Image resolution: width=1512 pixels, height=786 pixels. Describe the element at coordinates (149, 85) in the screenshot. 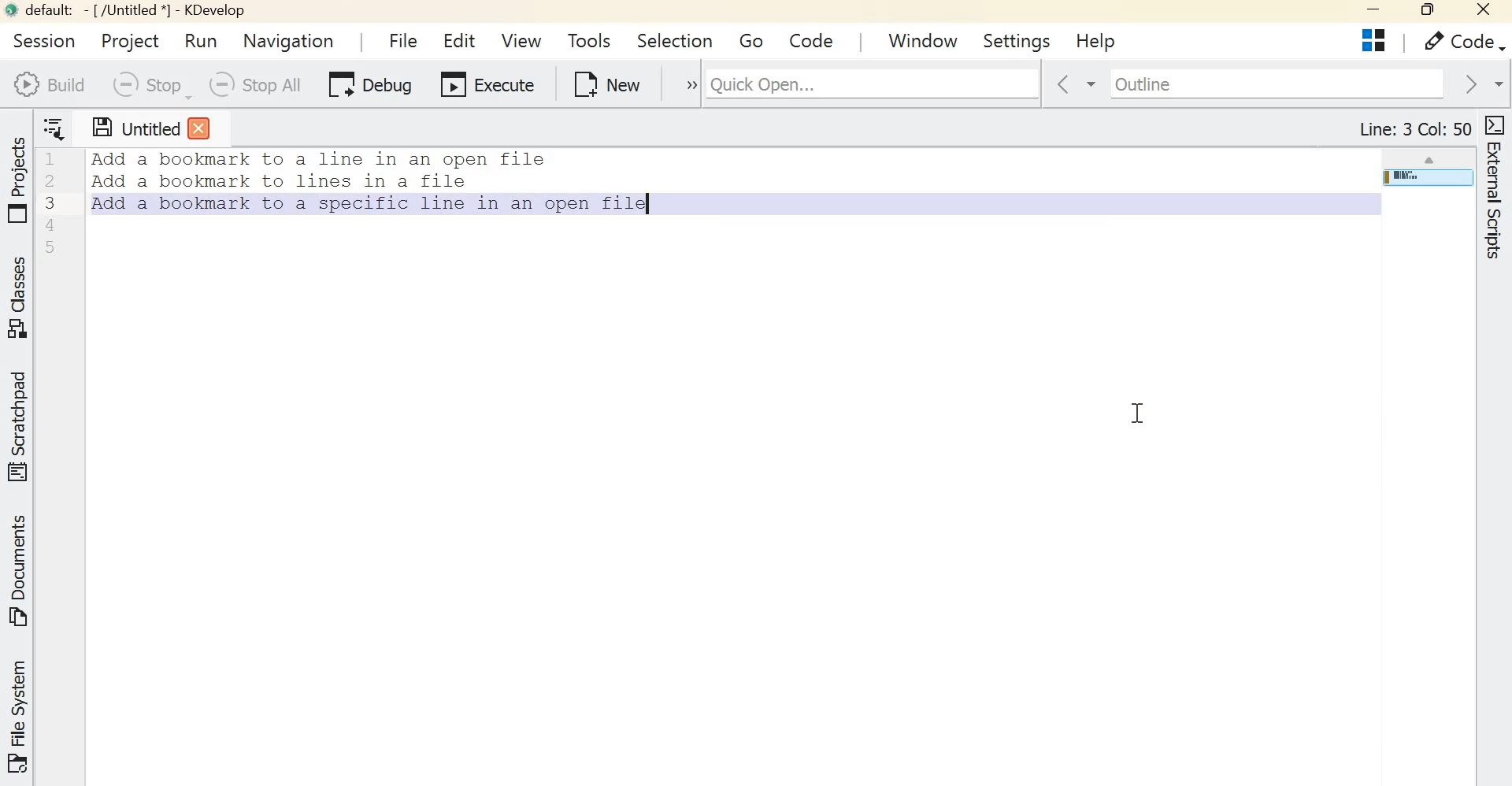

I see `Stop` at that location.